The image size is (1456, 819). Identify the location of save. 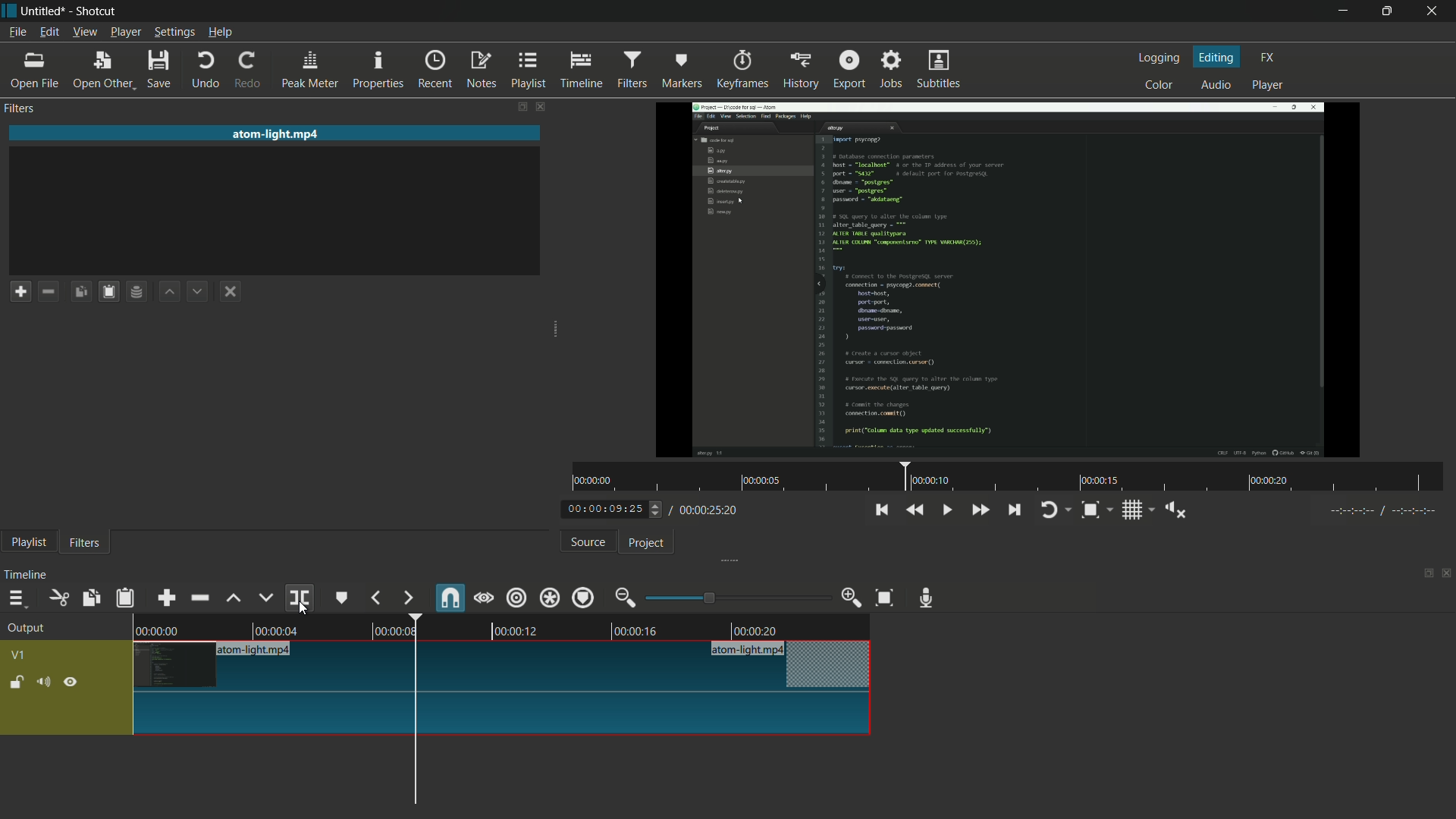
(160, 69).